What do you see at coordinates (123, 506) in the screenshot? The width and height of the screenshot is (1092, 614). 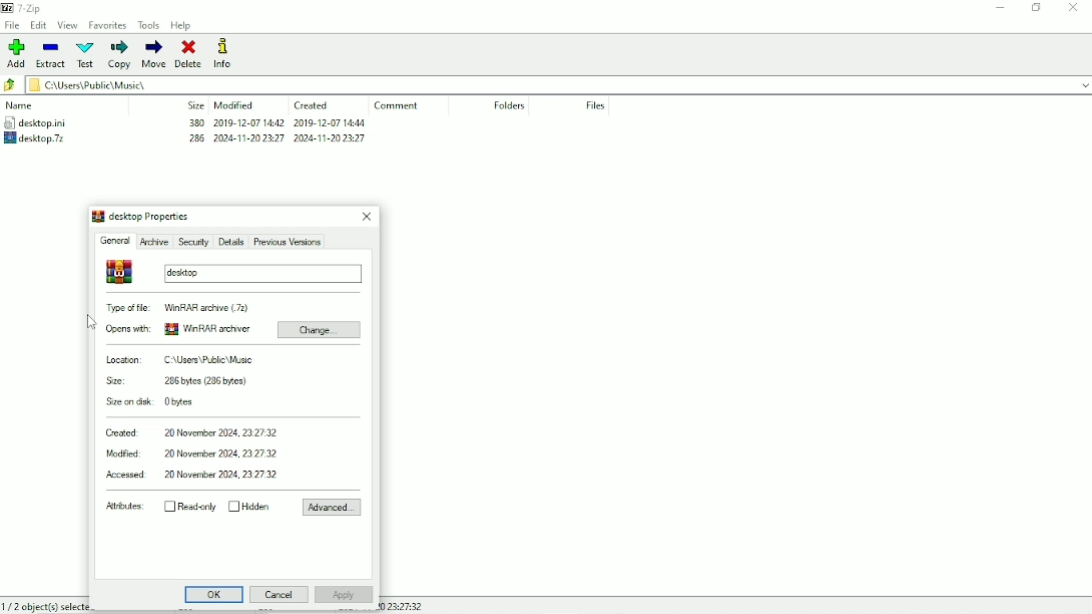 I see `Attributes` at bounding box center [123, 506].